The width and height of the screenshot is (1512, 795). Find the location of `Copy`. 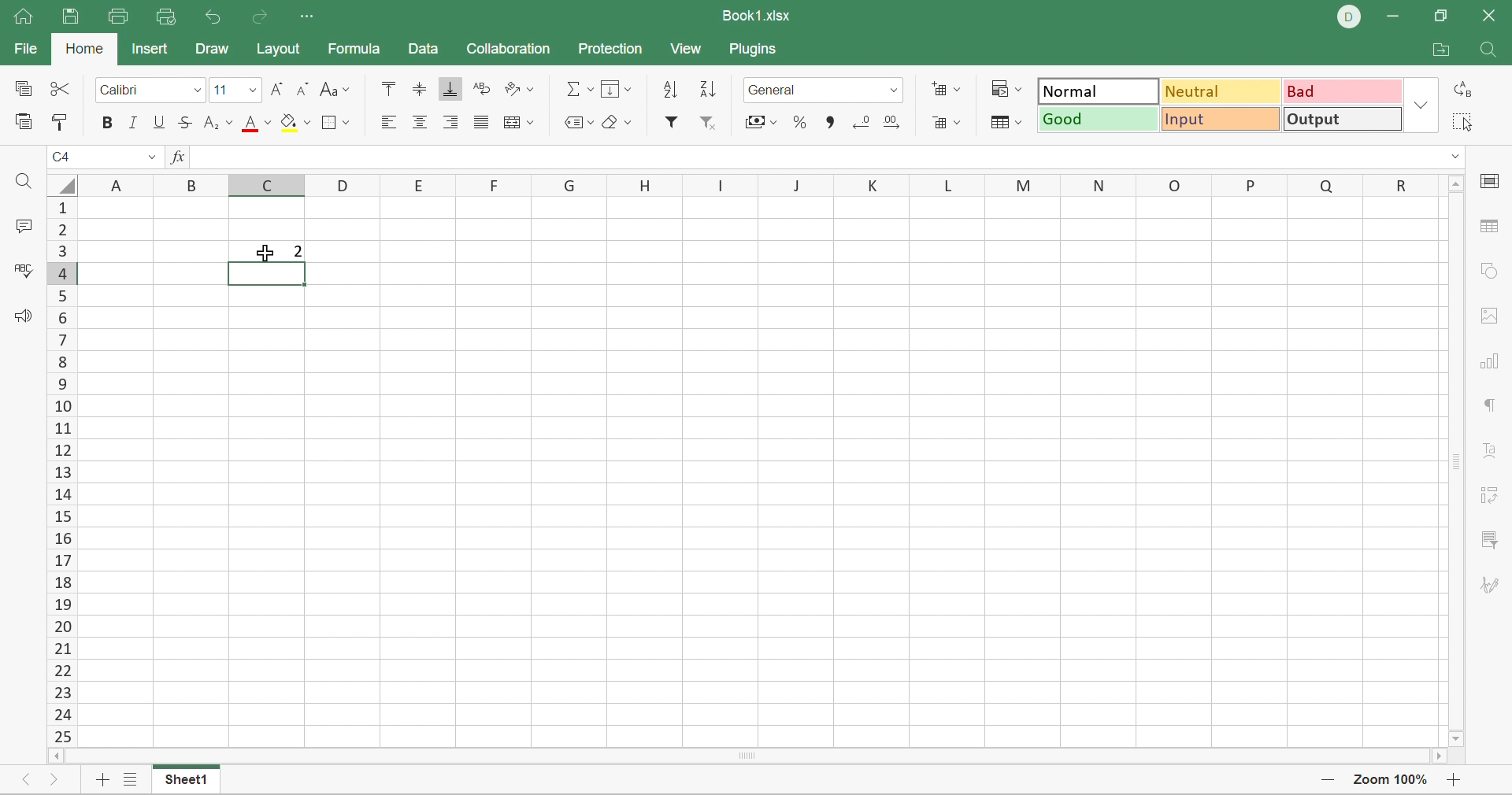

Copy is located at coordinates (21, 87).